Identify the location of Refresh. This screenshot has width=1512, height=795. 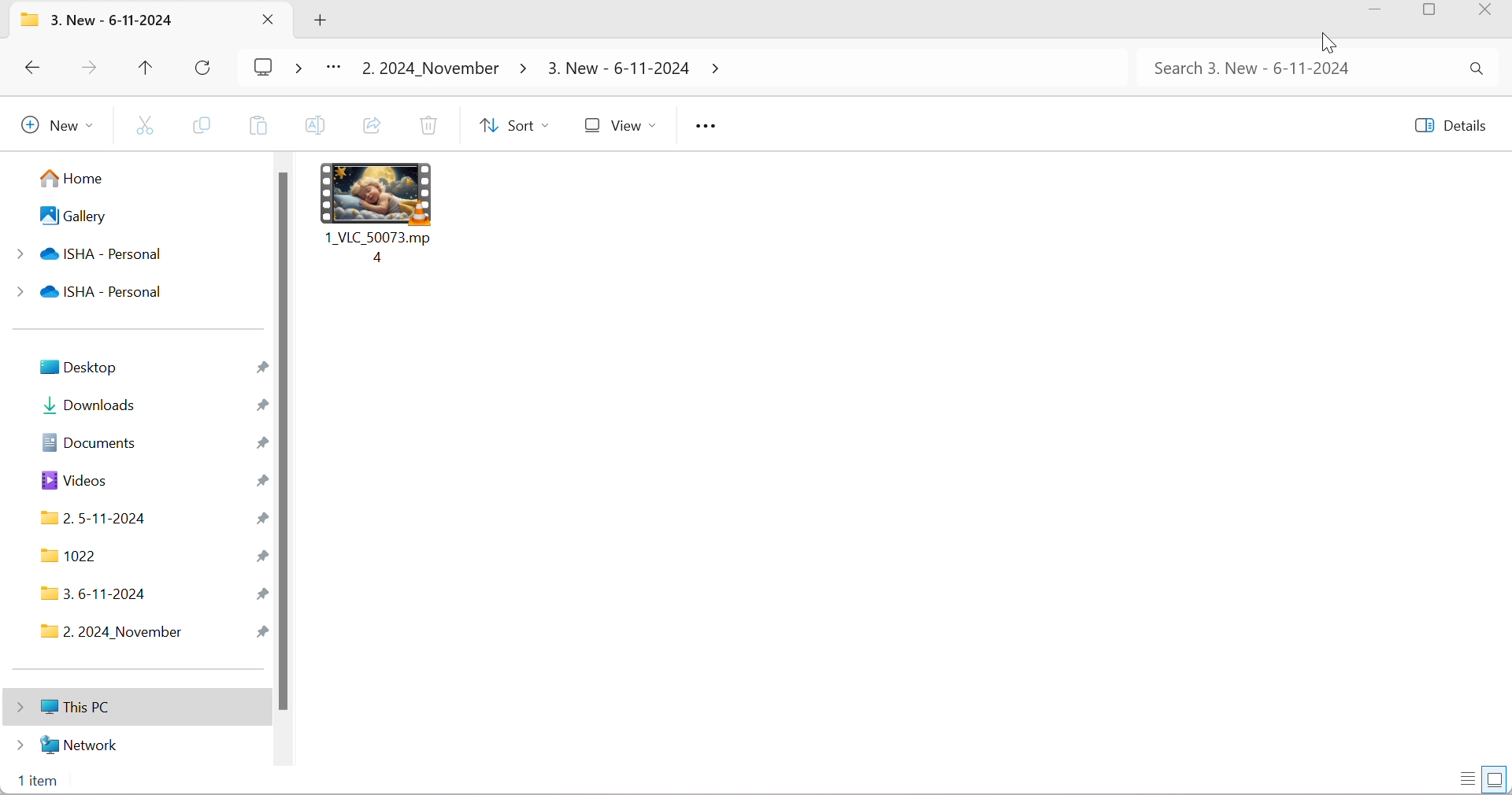
(206, 68).